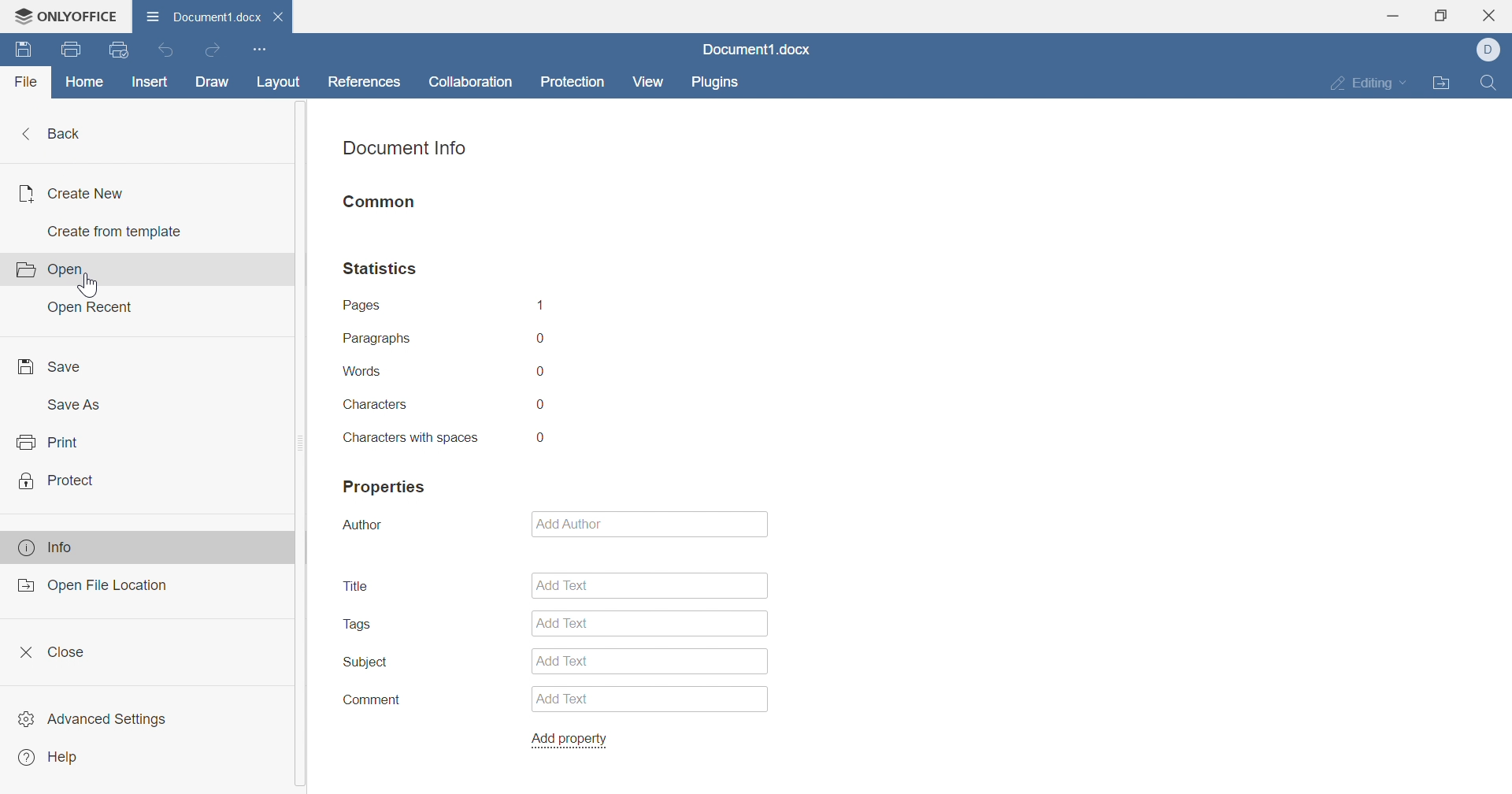 This screenshot has width=1512, height=794. What do you see at coordinates (22, 50) in the screenshot?
I see `save` at bounding box center [22, 50].